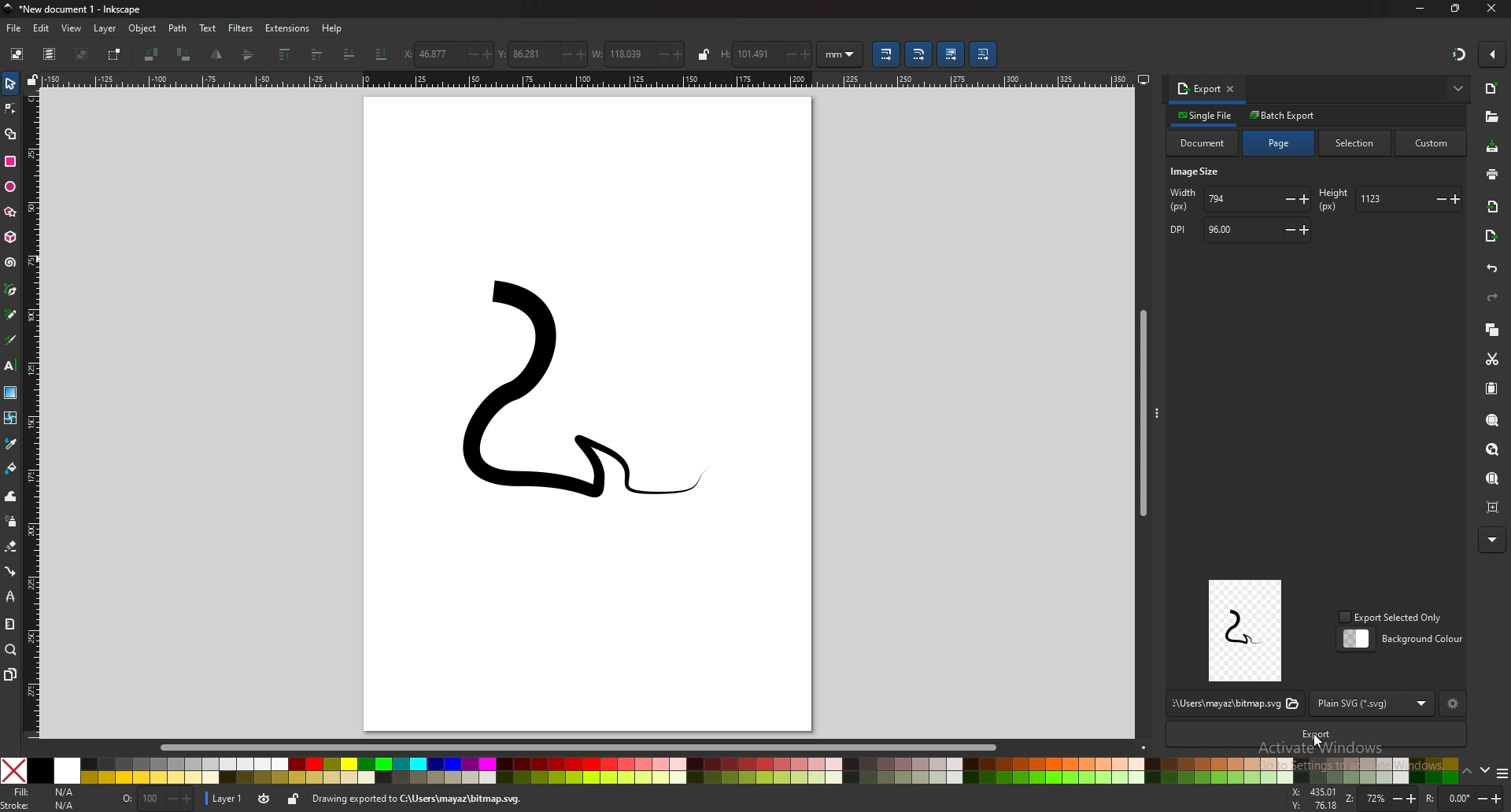  I want to click on scale stroke, so click(885, 54).